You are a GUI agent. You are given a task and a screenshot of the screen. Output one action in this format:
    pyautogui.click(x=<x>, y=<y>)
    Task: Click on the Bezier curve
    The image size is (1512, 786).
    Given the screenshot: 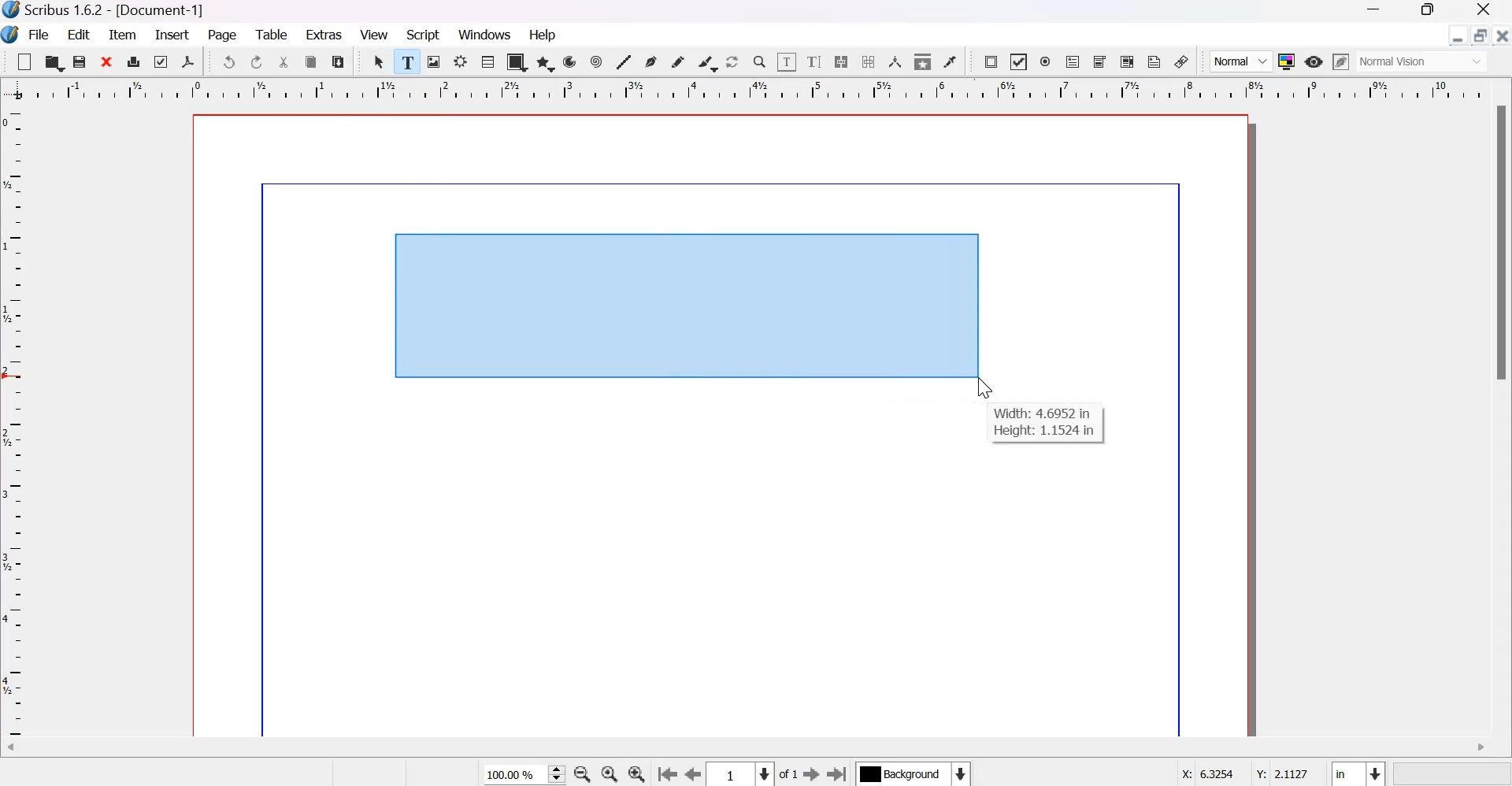 What is the action you would take?
    pyautogui.click(x=650, y=61)
    